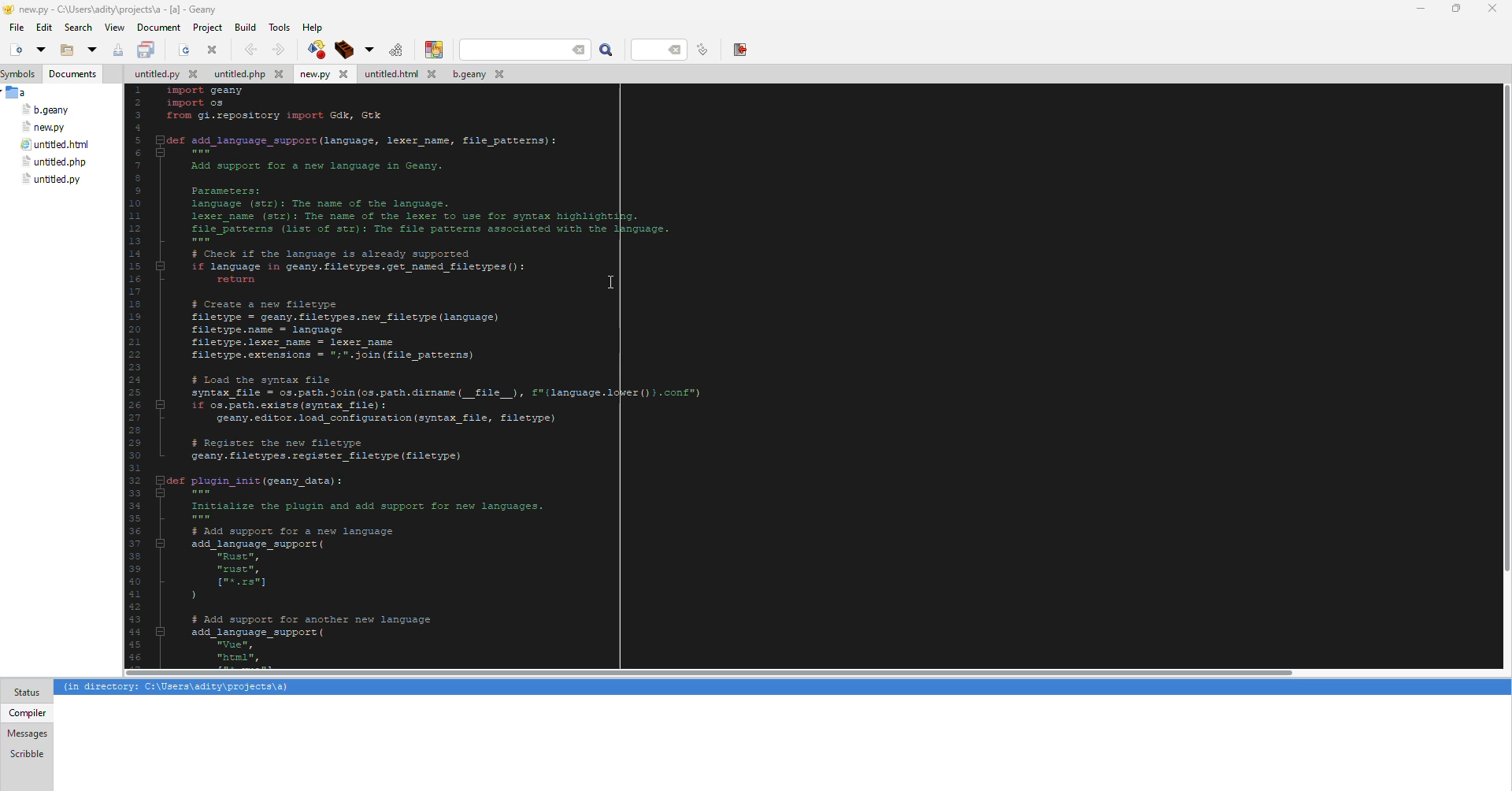 Image resolution: width=1512 pixels, height=791 pixels. What do you see at coordinates (313, 27) in the screenshot?
I see `help` at bounding box center [313, 27].